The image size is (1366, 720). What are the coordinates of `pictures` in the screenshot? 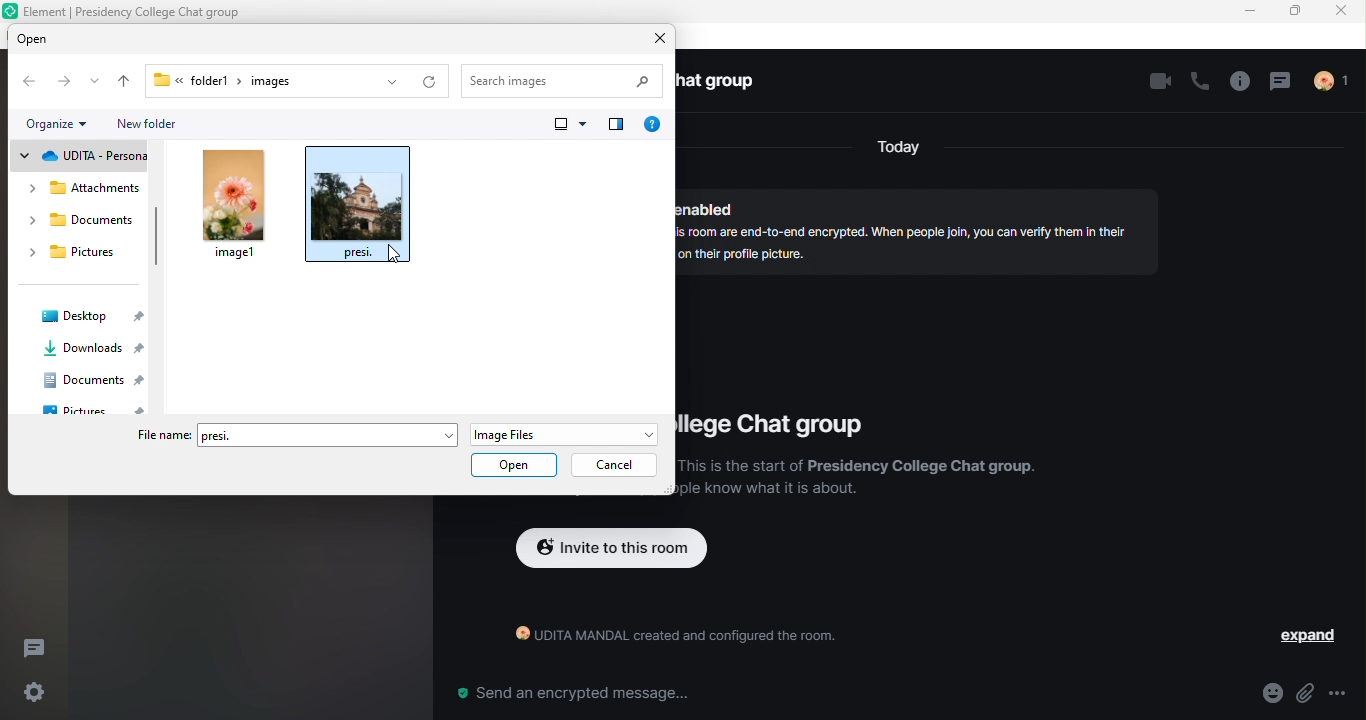 It's located at (98, 407).